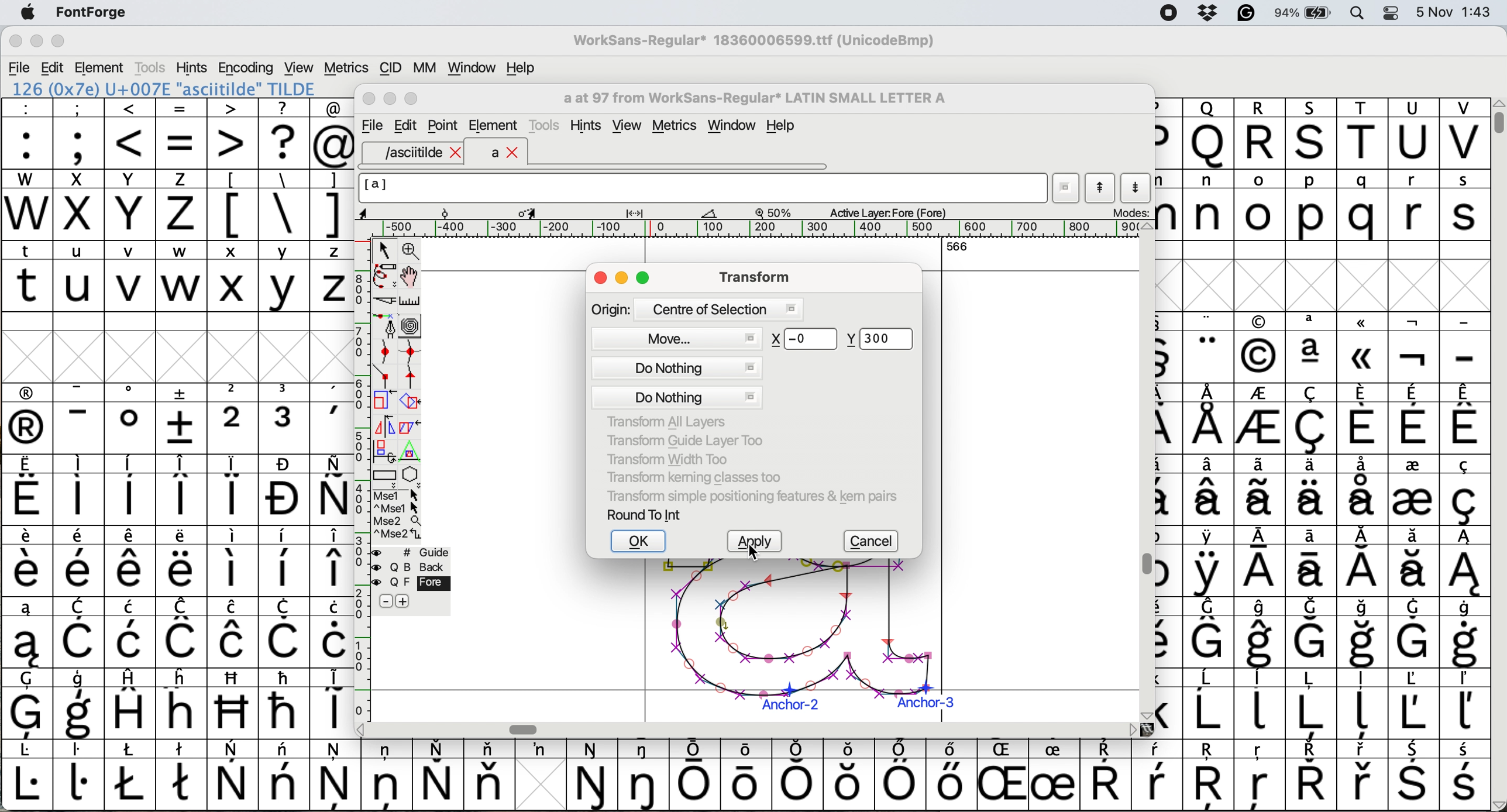 This screenshot has height=812, width=1507. I want to click on symbol, so click(1312, 633).